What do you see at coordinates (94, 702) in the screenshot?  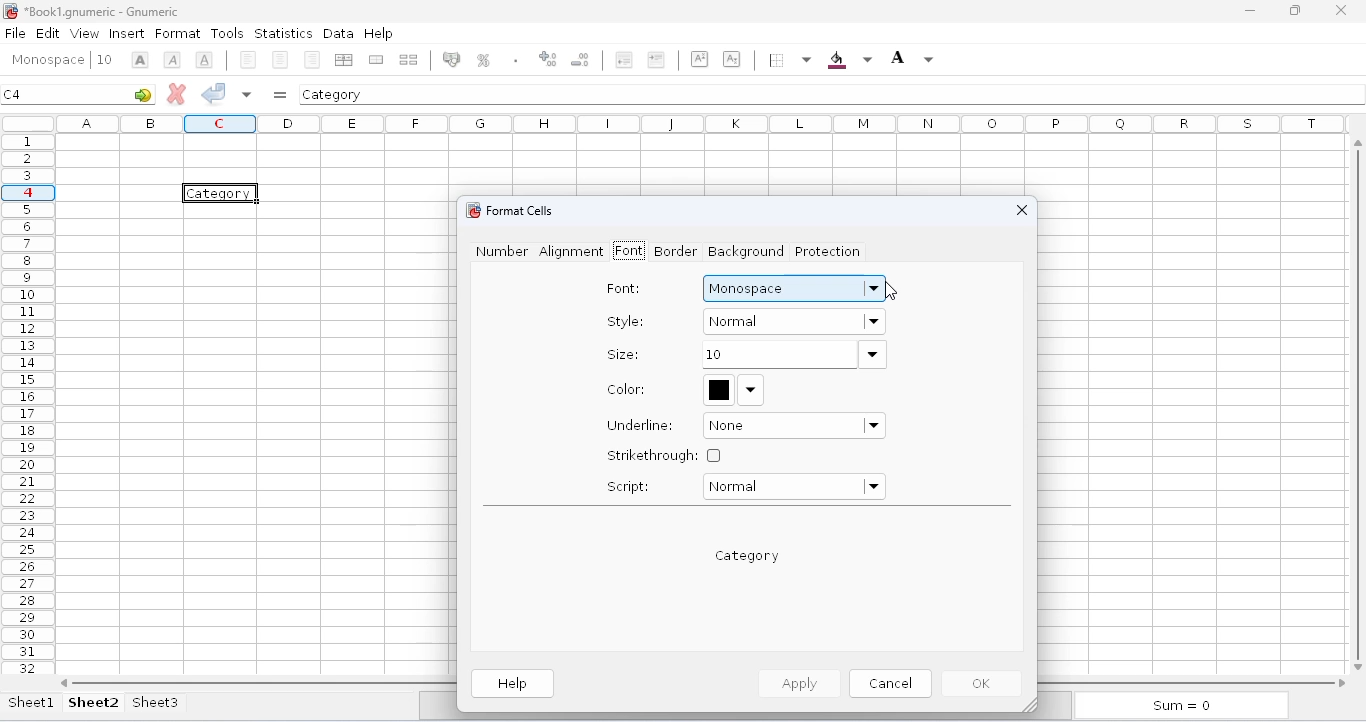 I see `sheet2` at bounding box center [94, 702].